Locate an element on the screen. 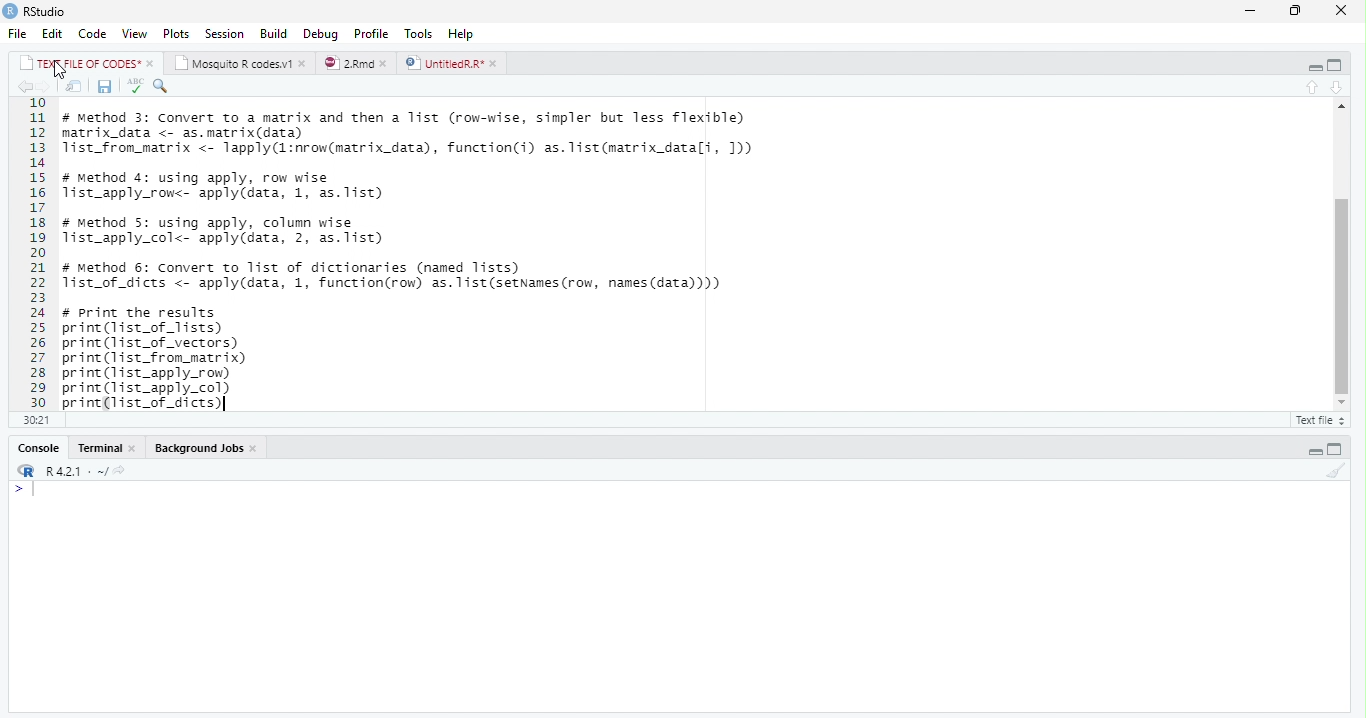 The image size is (1366, 718). Hide is located at coordinates (1313, 449).